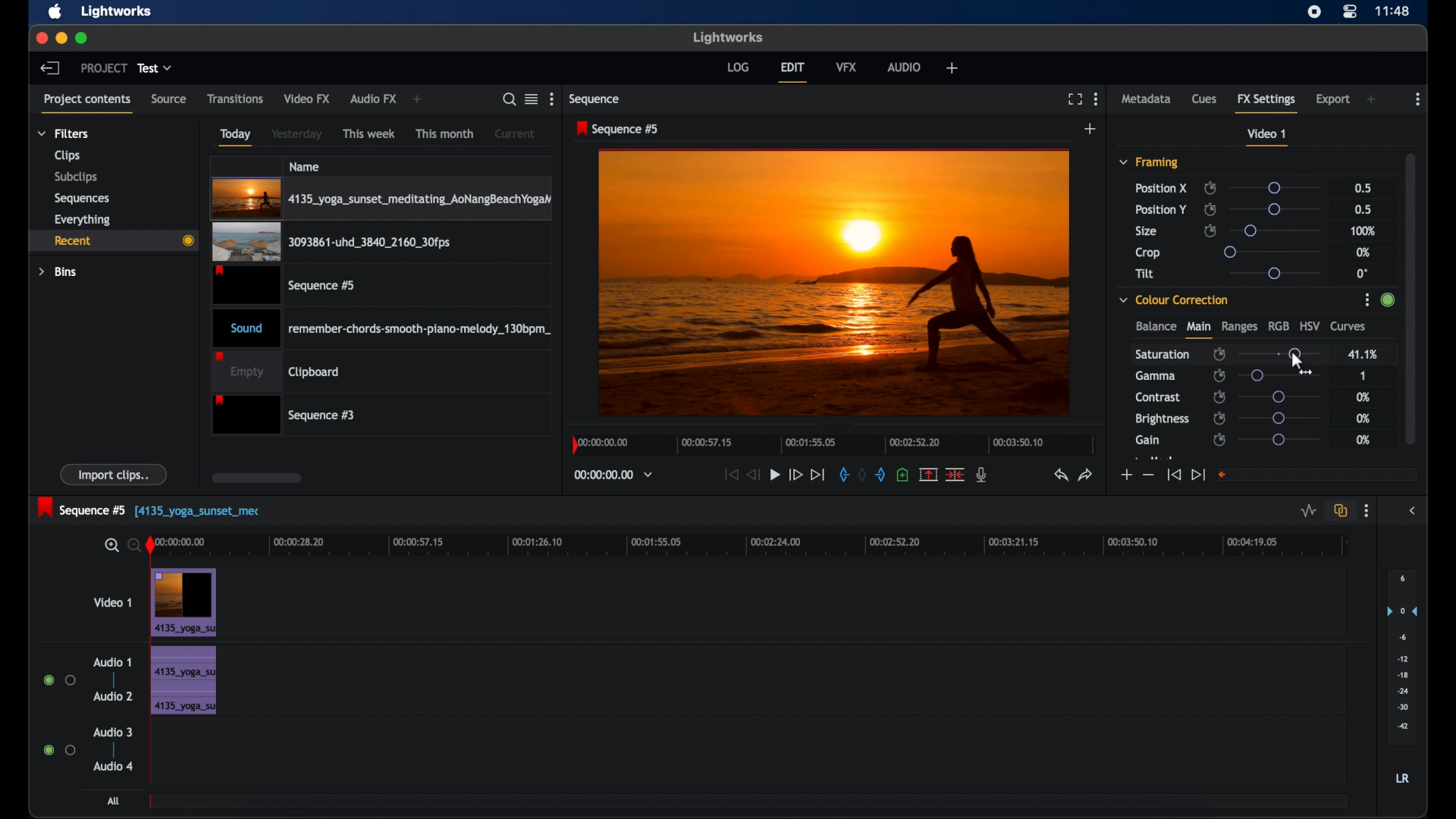 The height and width of the screenshot is (819, 1456). I want to click on text, so click(205, 513).